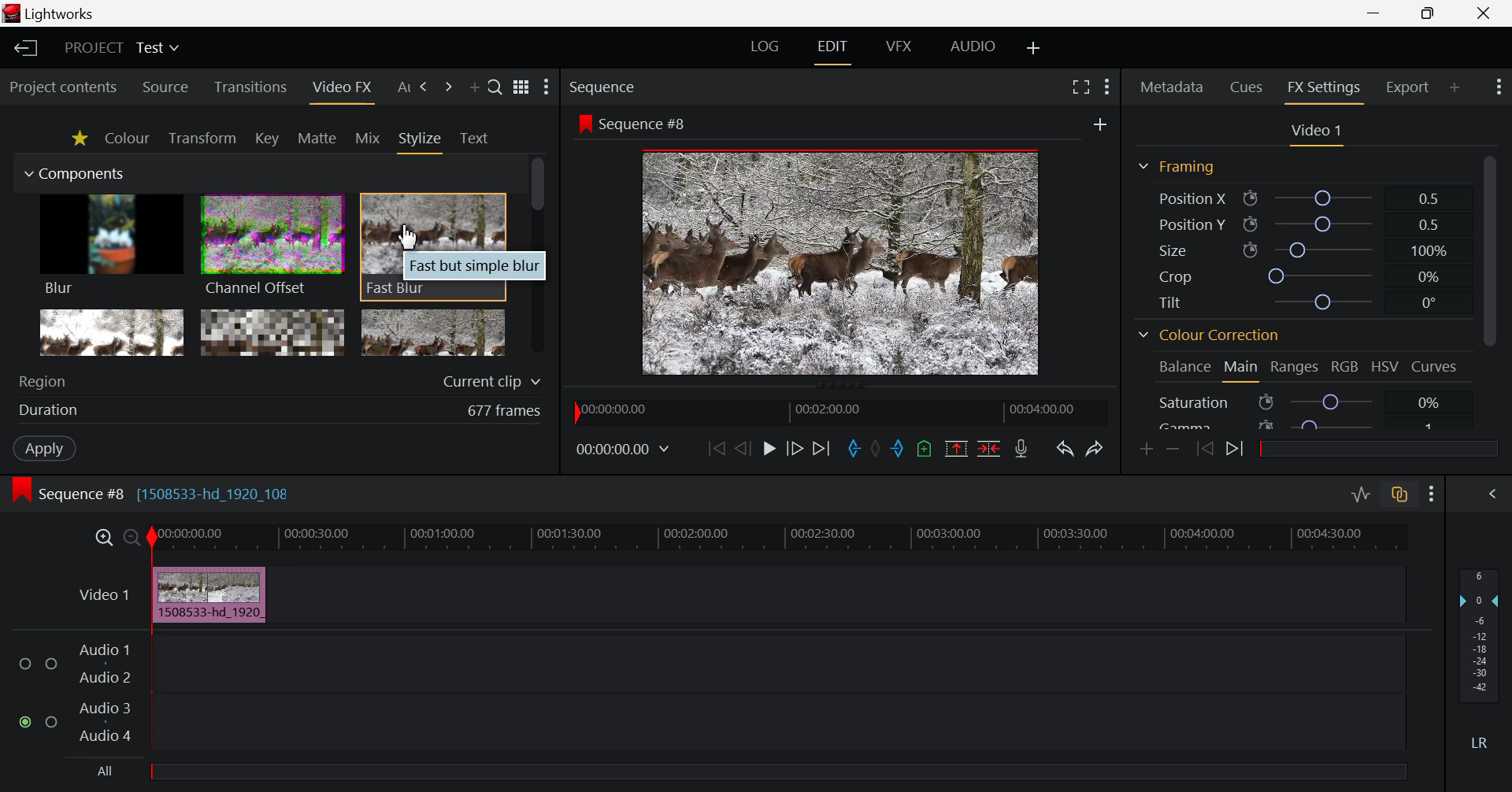 The width and height of the screenshot is (1512, 792). I want to click on All, so click(102, 770).